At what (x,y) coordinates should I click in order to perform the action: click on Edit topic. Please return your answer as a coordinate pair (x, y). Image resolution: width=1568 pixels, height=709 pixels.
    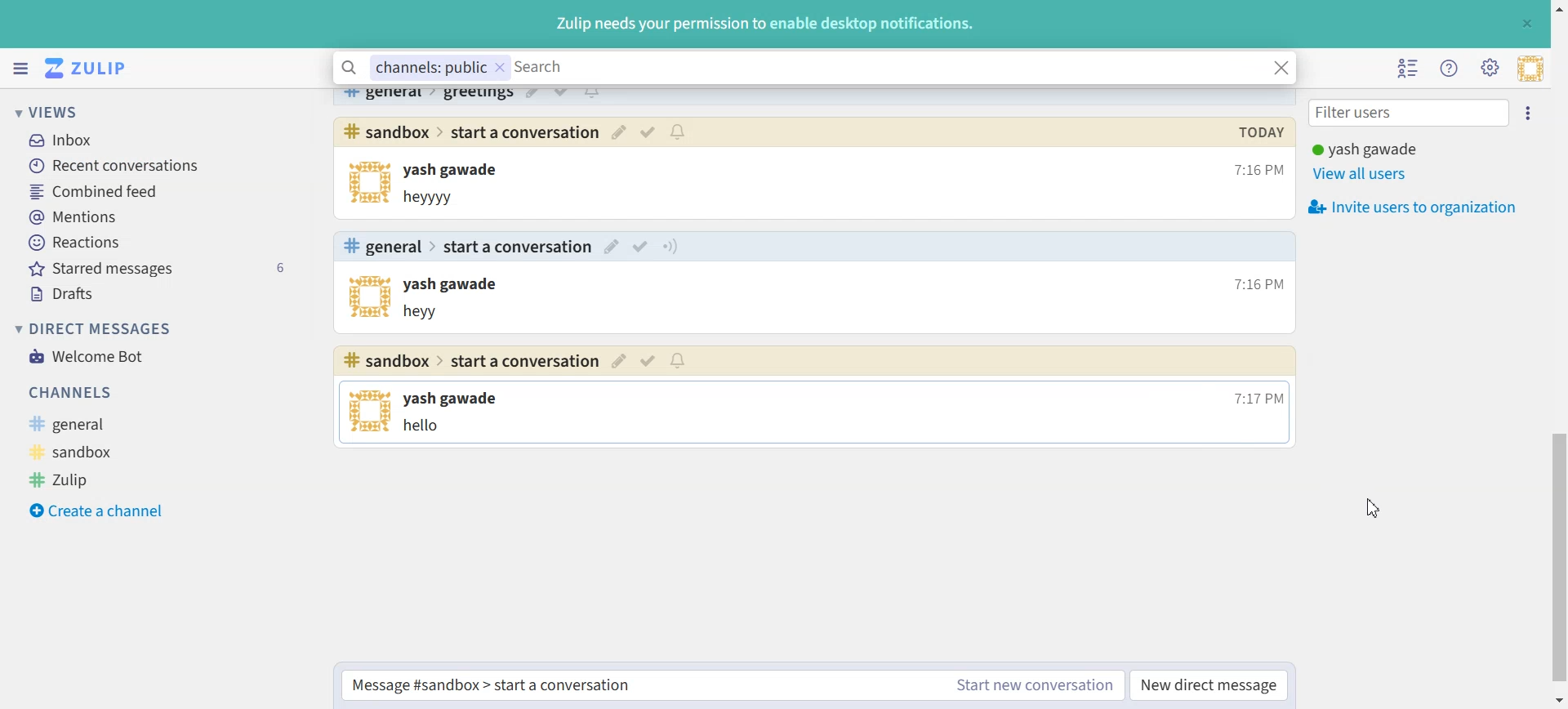
    Looking at the image, I should click on (613, 246).